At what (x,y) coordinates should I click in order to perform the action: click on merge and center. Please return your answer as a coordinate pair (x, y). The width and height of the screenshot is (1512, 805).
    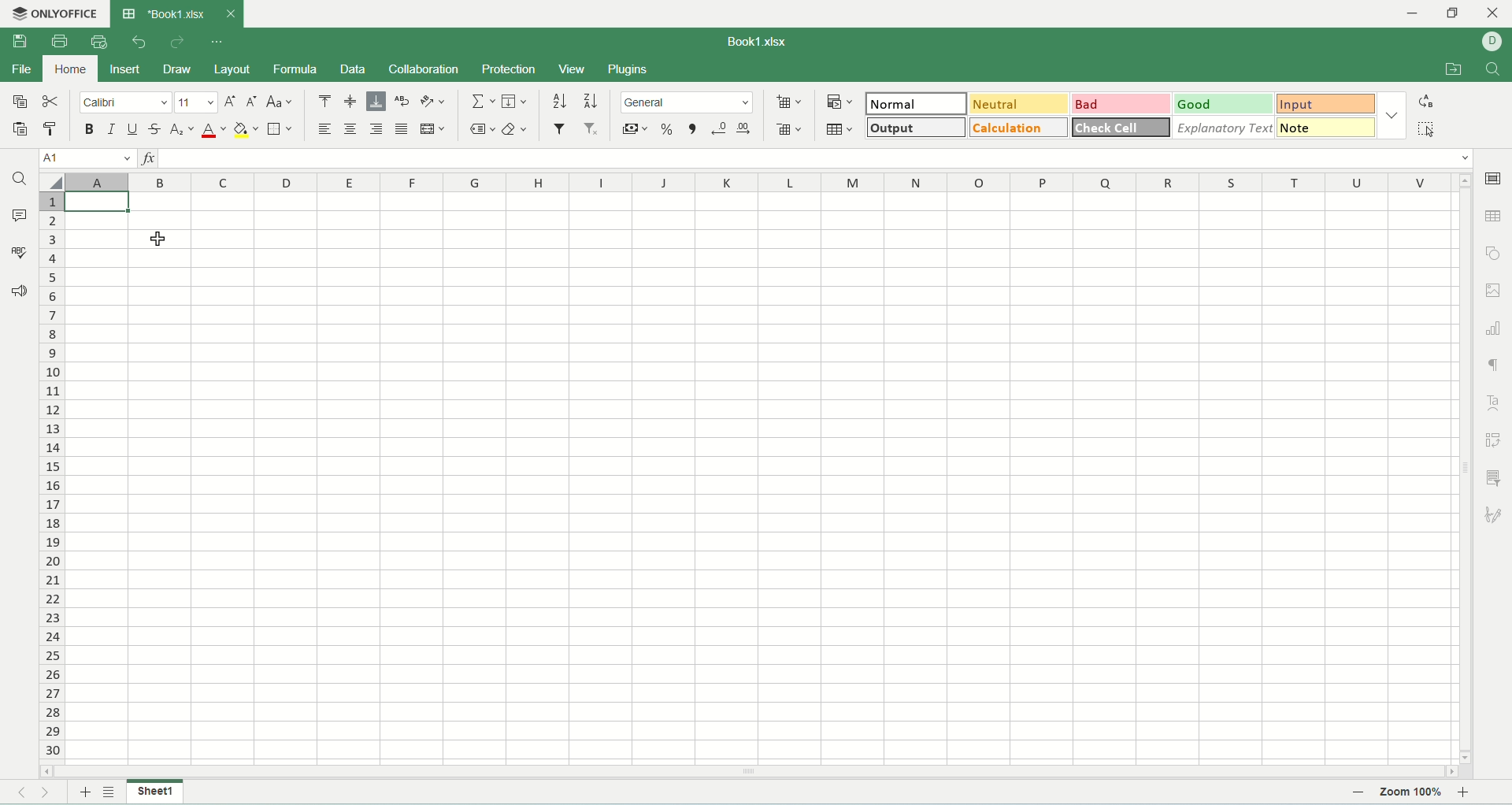
    Looking at the image, I should click on (432, 129).